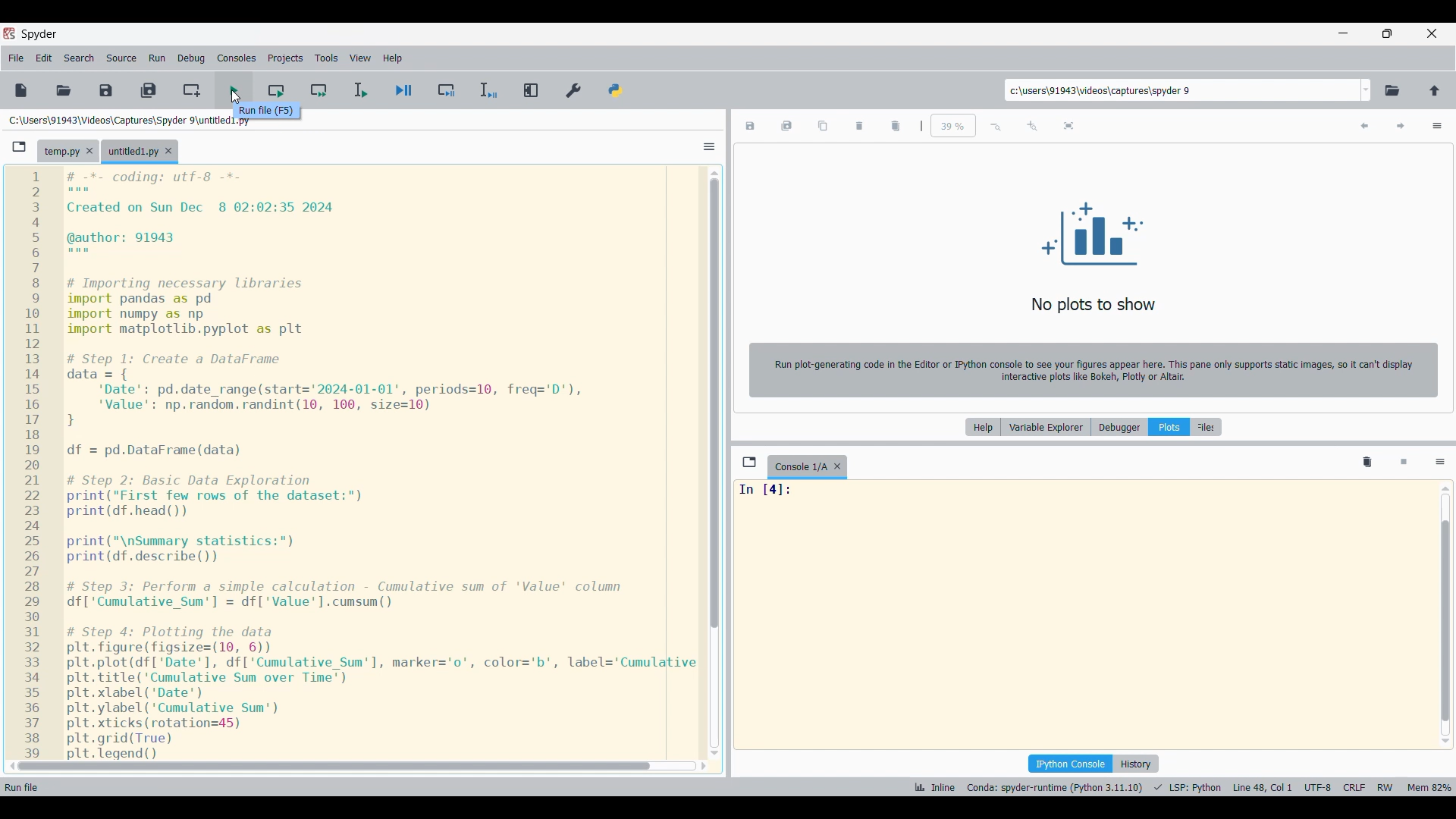 Image resolution: width=1456 pixels, height=819 pixels. I want to click on Change to parent directory, so click(1435, 91).